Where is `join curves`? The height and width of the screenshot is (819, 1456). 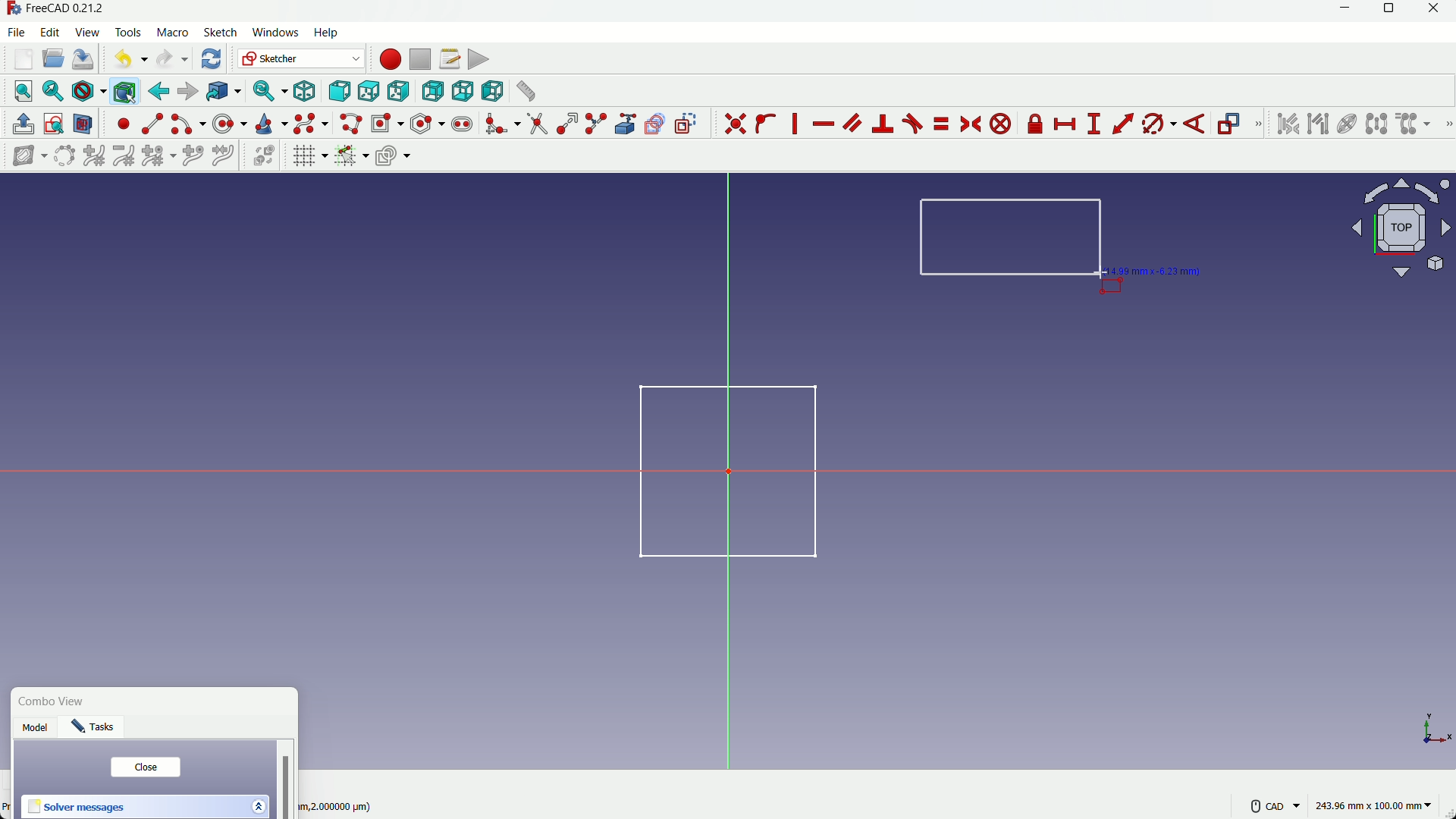
join curves is located at coordinates (227, 154).